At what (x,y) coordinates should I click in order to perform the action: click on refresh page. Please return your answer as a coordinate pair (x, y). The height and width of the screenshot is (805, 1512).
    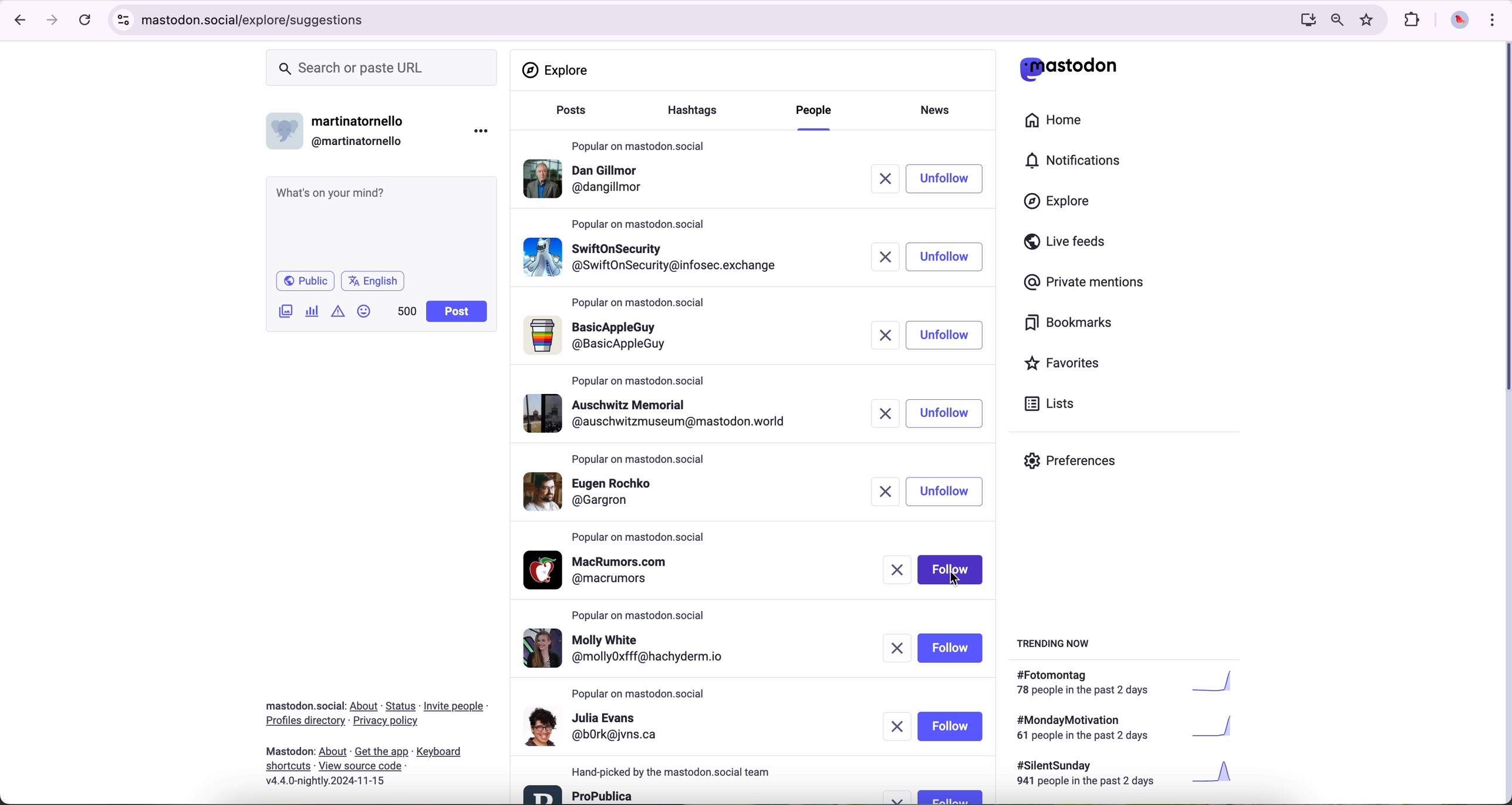
    Looking at the image, I should click on (86, 21).